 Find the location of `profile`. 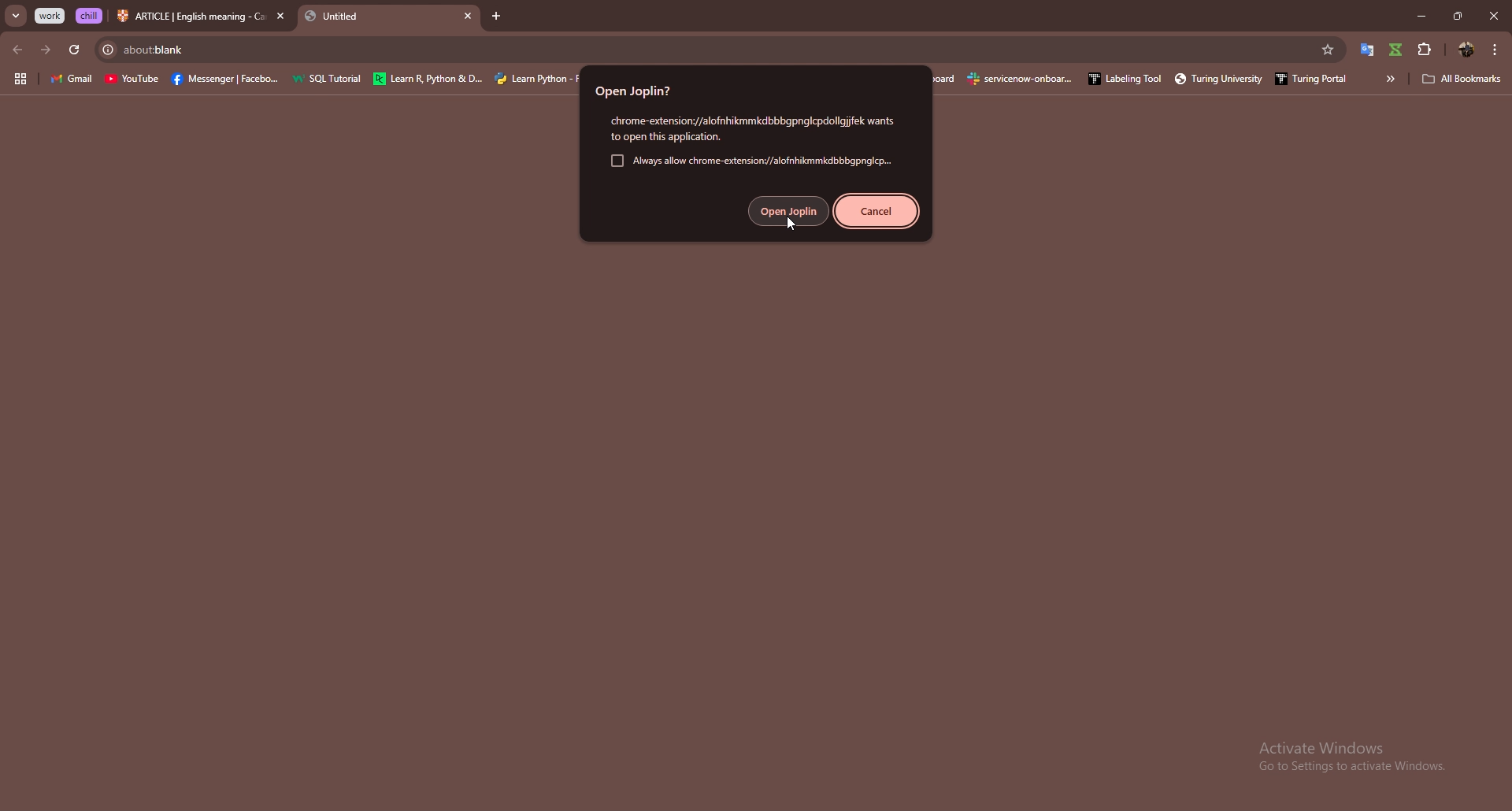

profile is located at coordinates (1467, 50).